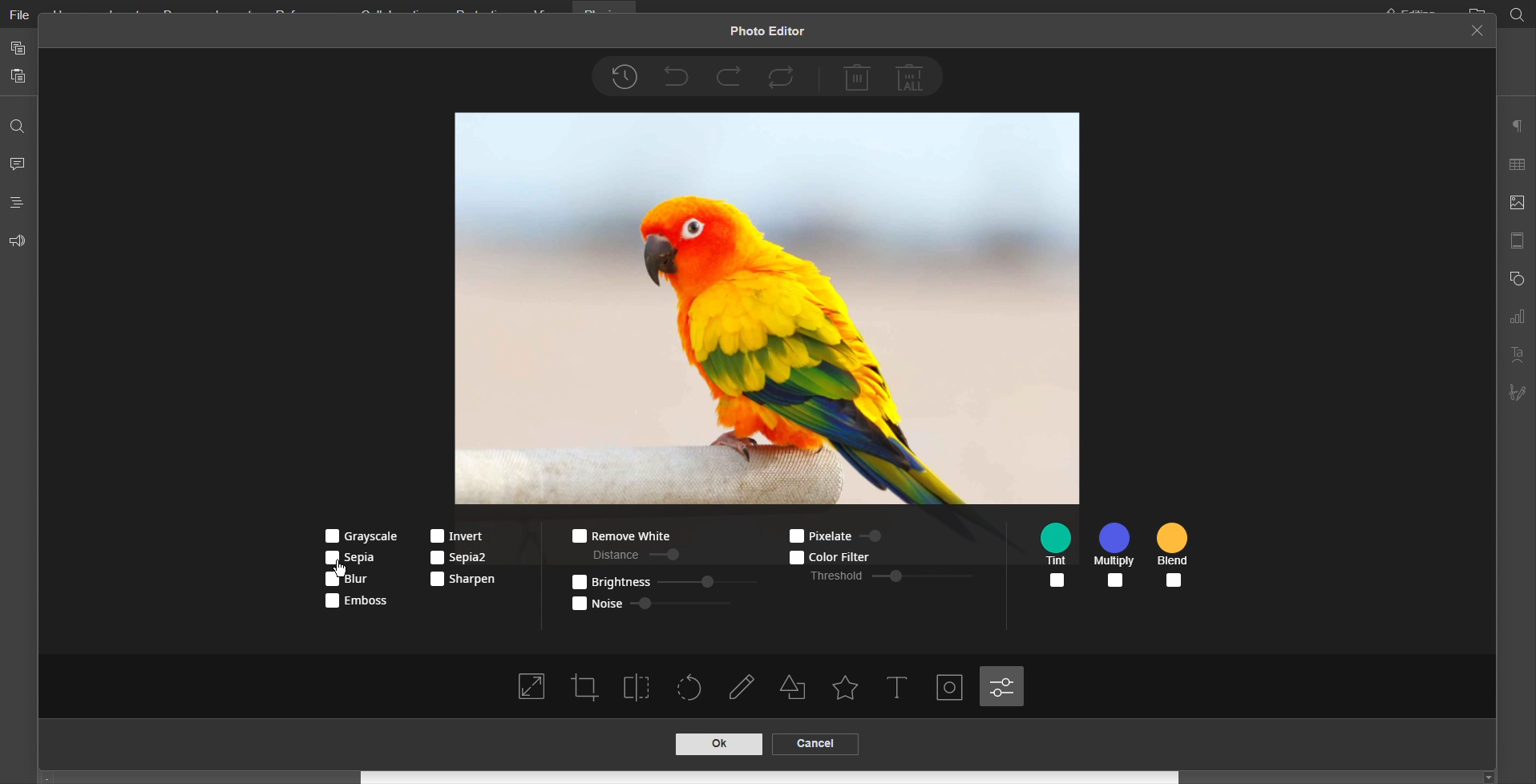  What do you see at coordinates (585, 687) in the screenshot?
I see `Crop` at bounding box center [585, 687].